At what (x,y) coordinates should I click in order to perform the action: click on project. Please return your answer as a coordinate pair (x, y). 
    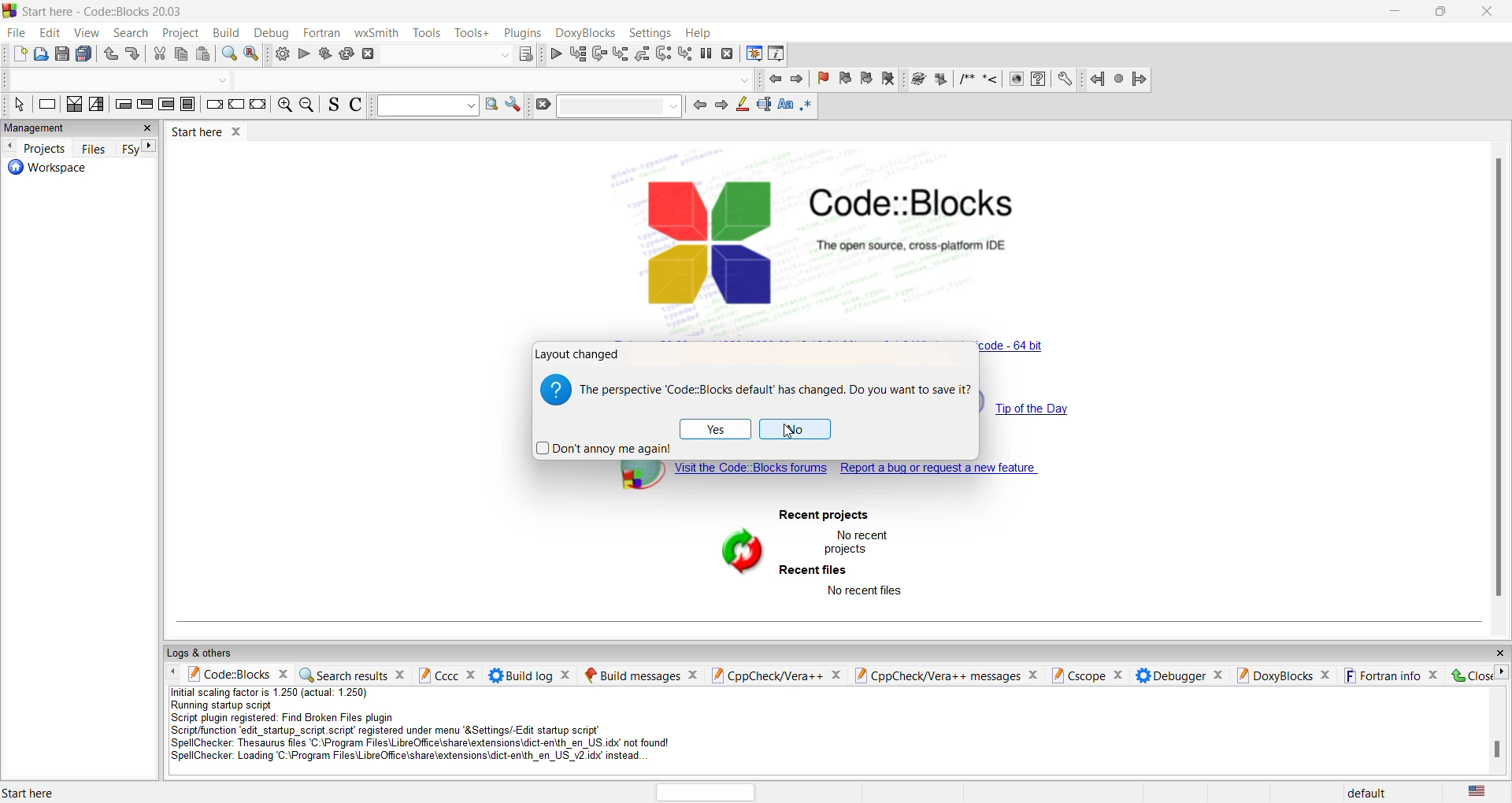
    Looking at the image, I should click on (179, 33).